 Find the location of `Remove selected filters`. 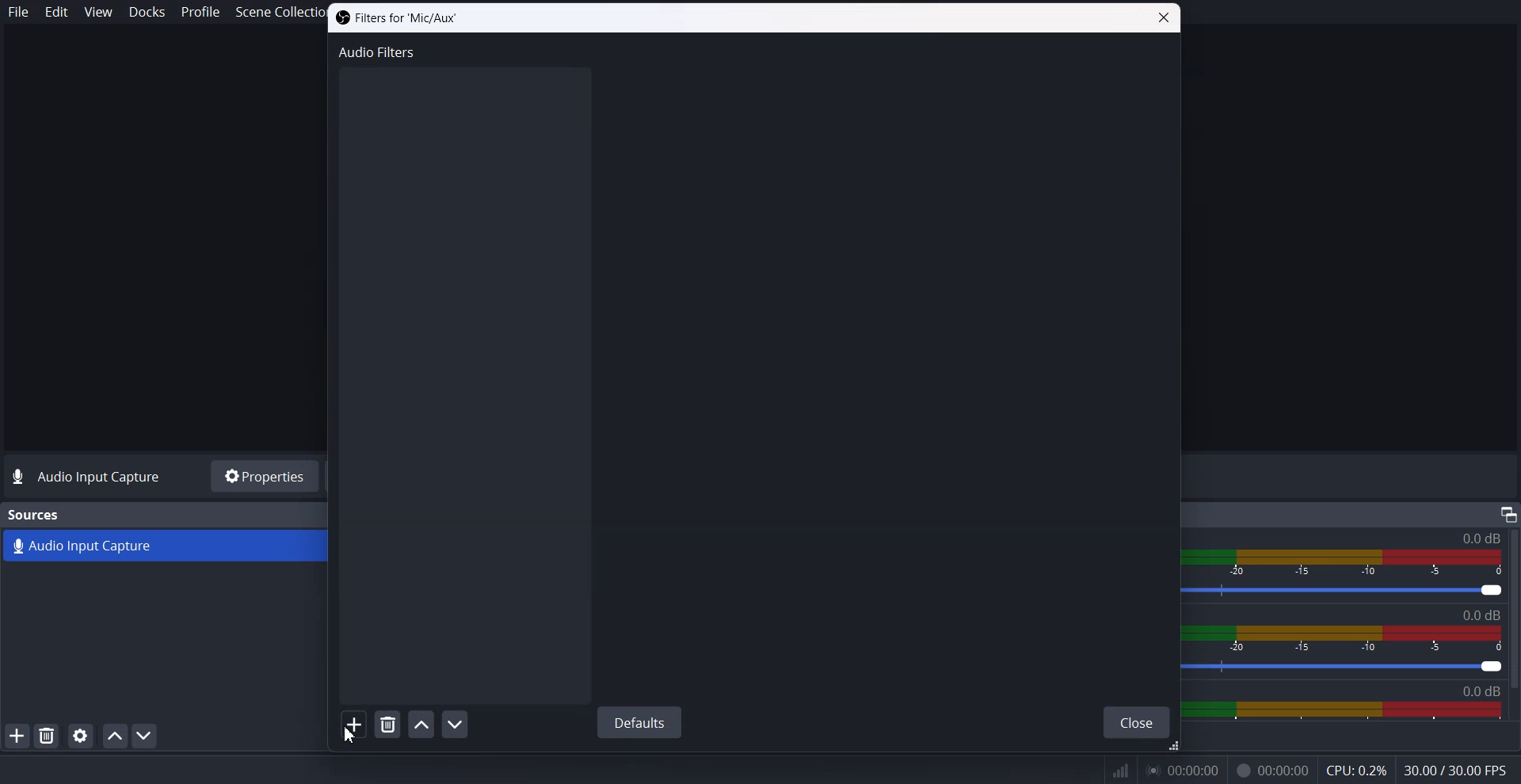

Remove selected filters is located at coordinates (388, 724).